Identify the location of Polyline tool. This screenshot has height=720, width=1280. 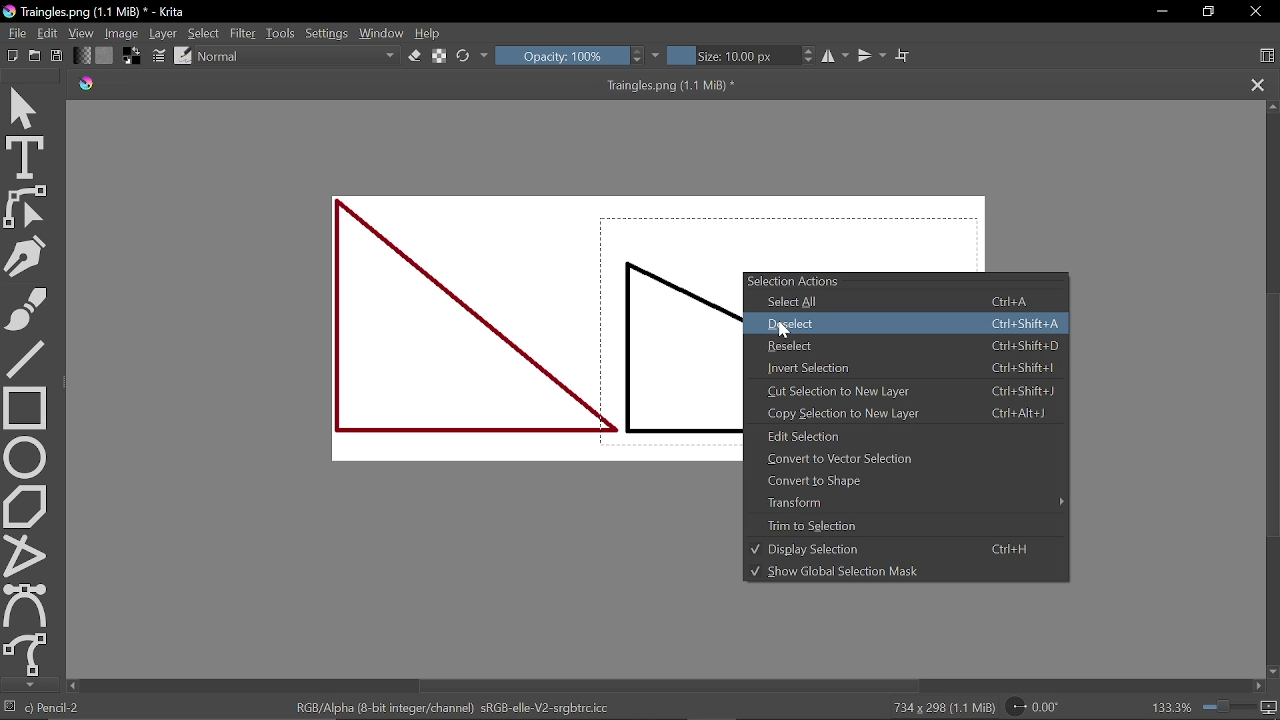
(26, 553).